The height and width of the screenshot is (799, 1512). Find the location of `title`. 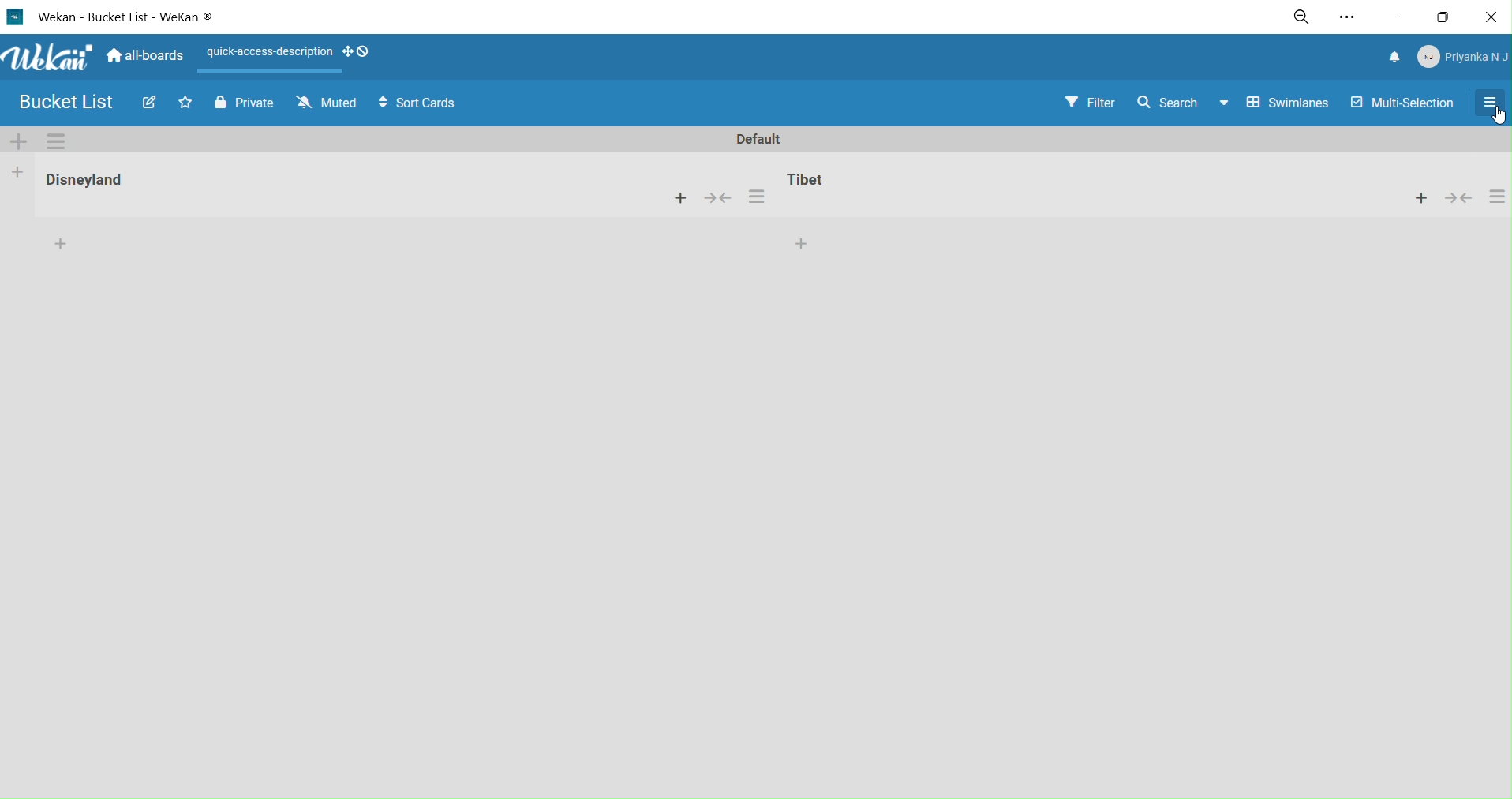

title is located at coordinates (137, 17).